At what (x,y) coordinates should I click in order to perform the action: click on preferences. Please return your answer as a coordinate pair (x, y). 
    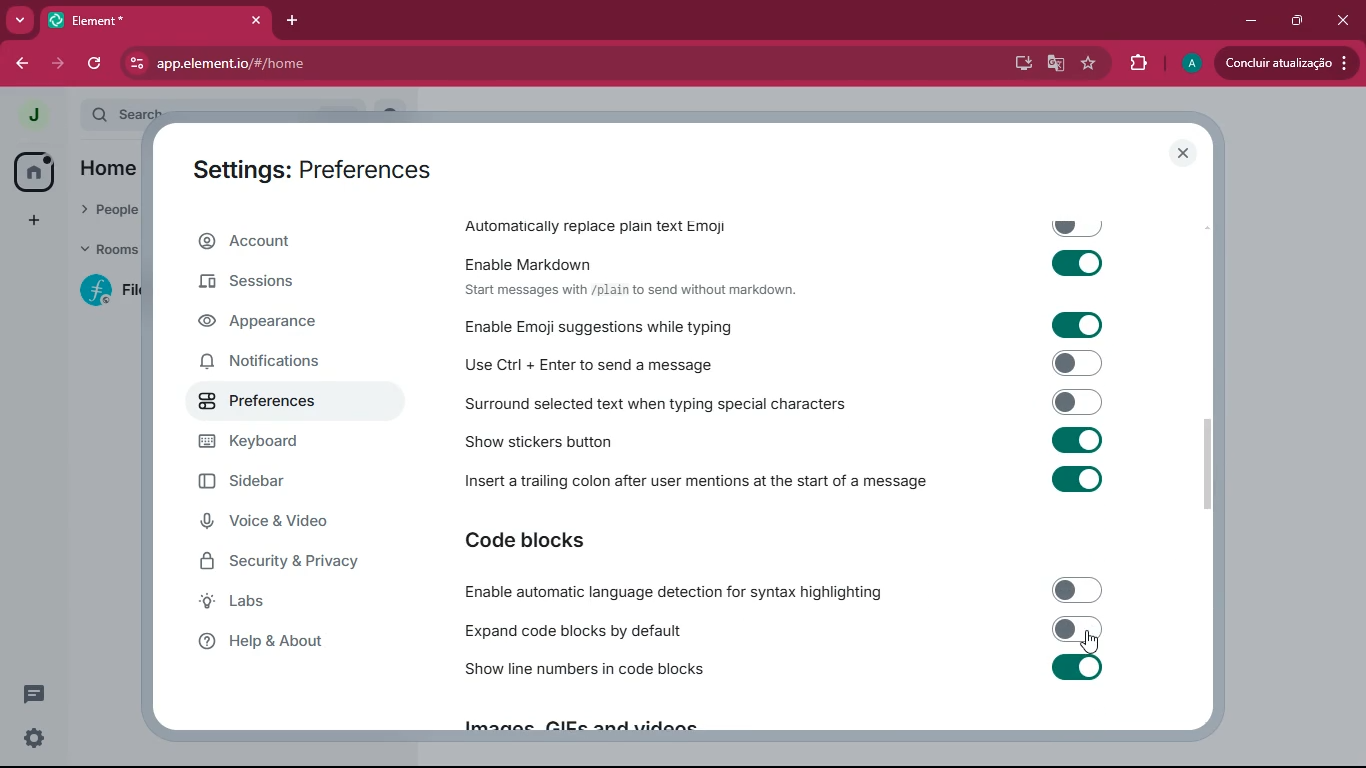
    Looking at the image, I should click on (292, 404).